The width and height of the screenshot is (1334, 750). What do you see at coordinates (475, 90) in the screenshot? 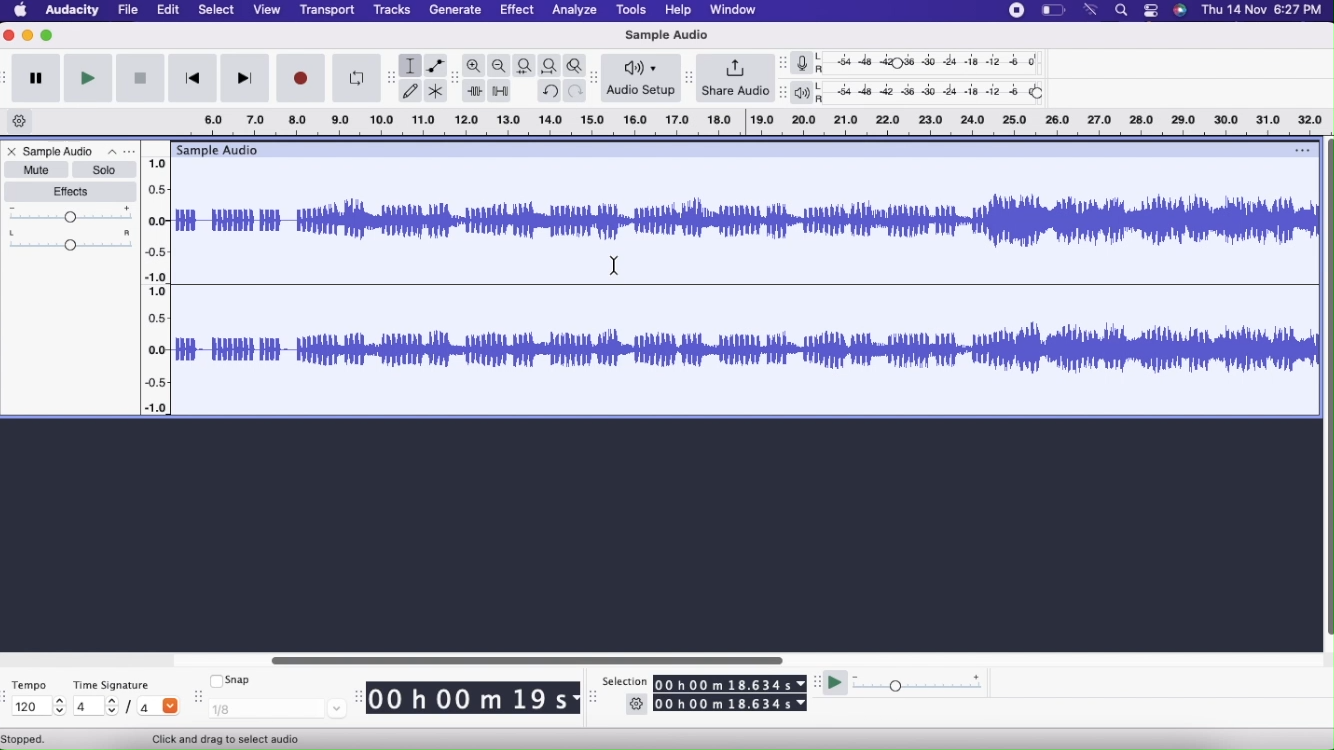
I see `Trim outside selection` at bounding box center [475, 90].